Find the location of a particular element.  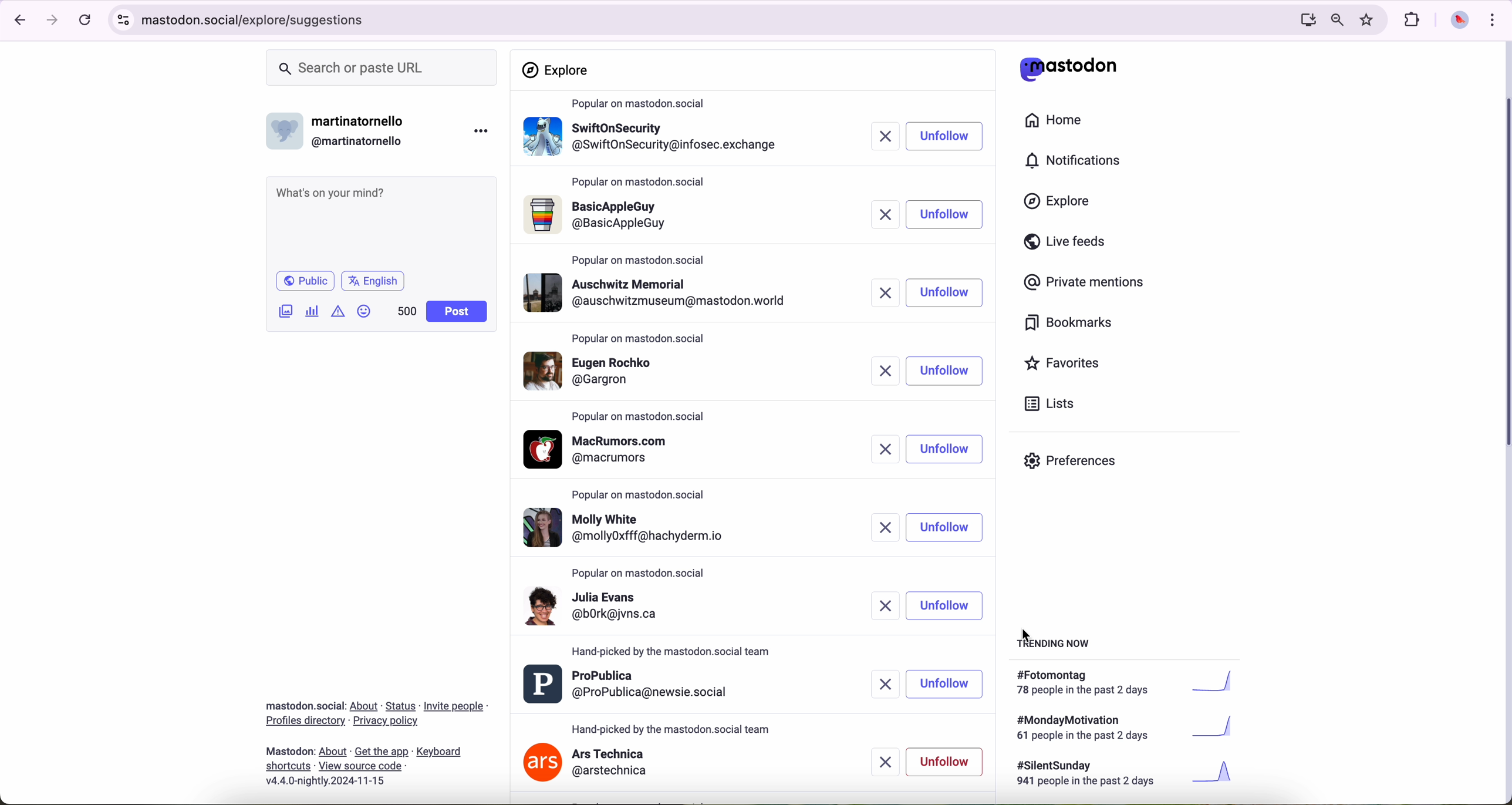

ars technica profile is located at coordinates (587, 764).